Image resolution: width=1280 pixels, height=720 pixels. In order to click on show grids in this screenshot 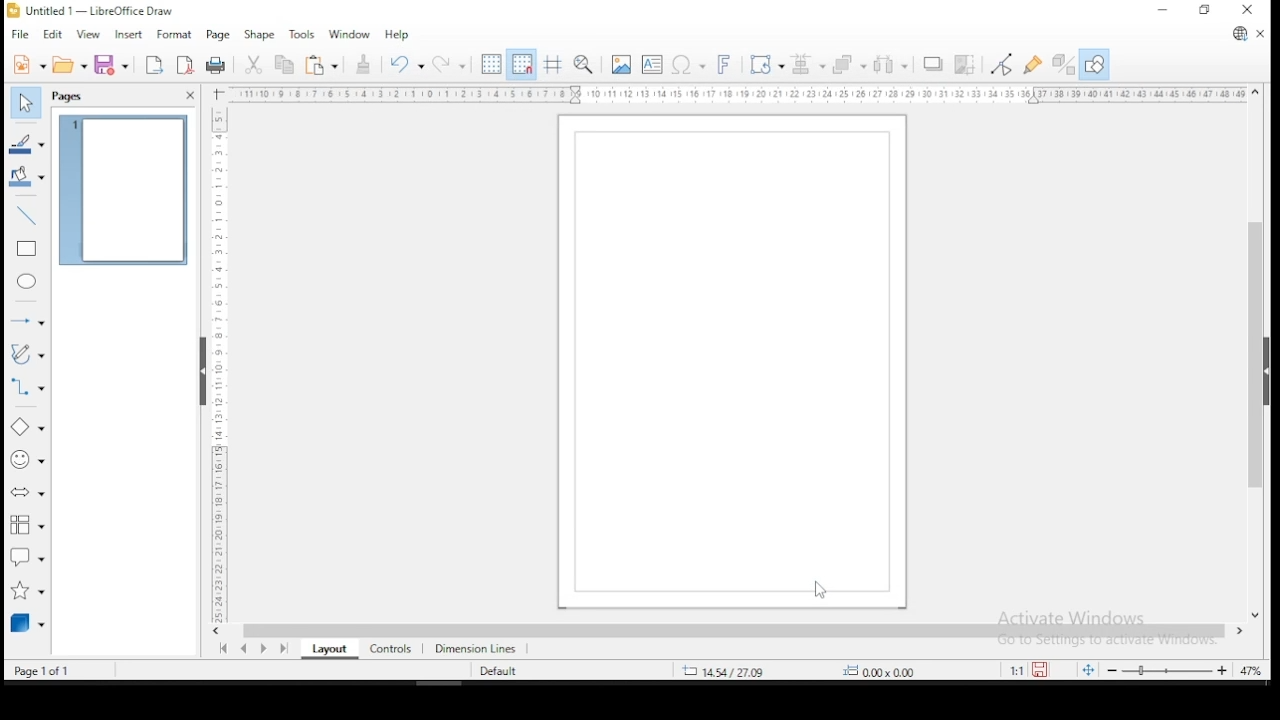, I will do `click(489, 63)`.